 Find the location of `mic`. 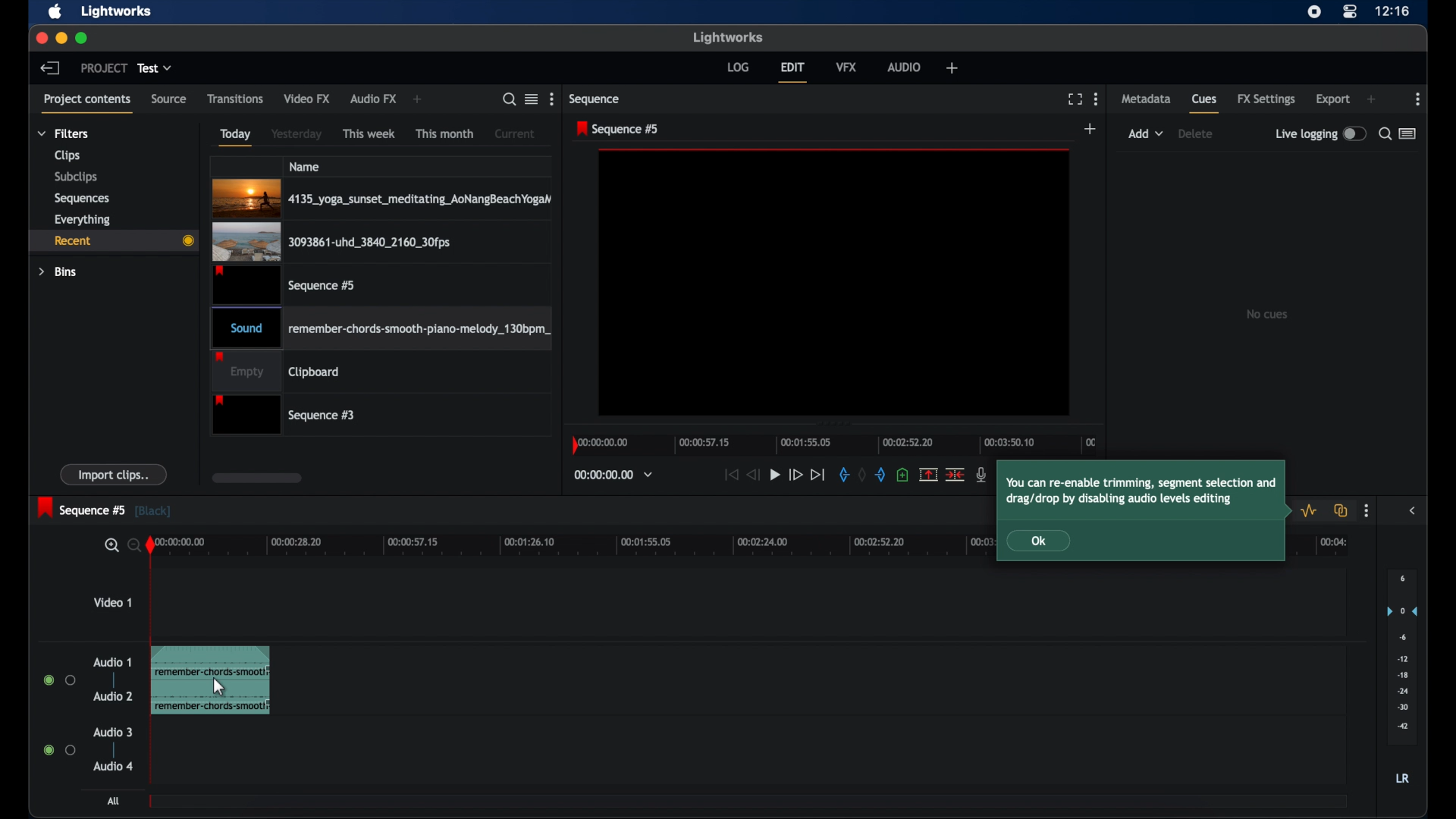

mic is located at coordinates (982, 475).